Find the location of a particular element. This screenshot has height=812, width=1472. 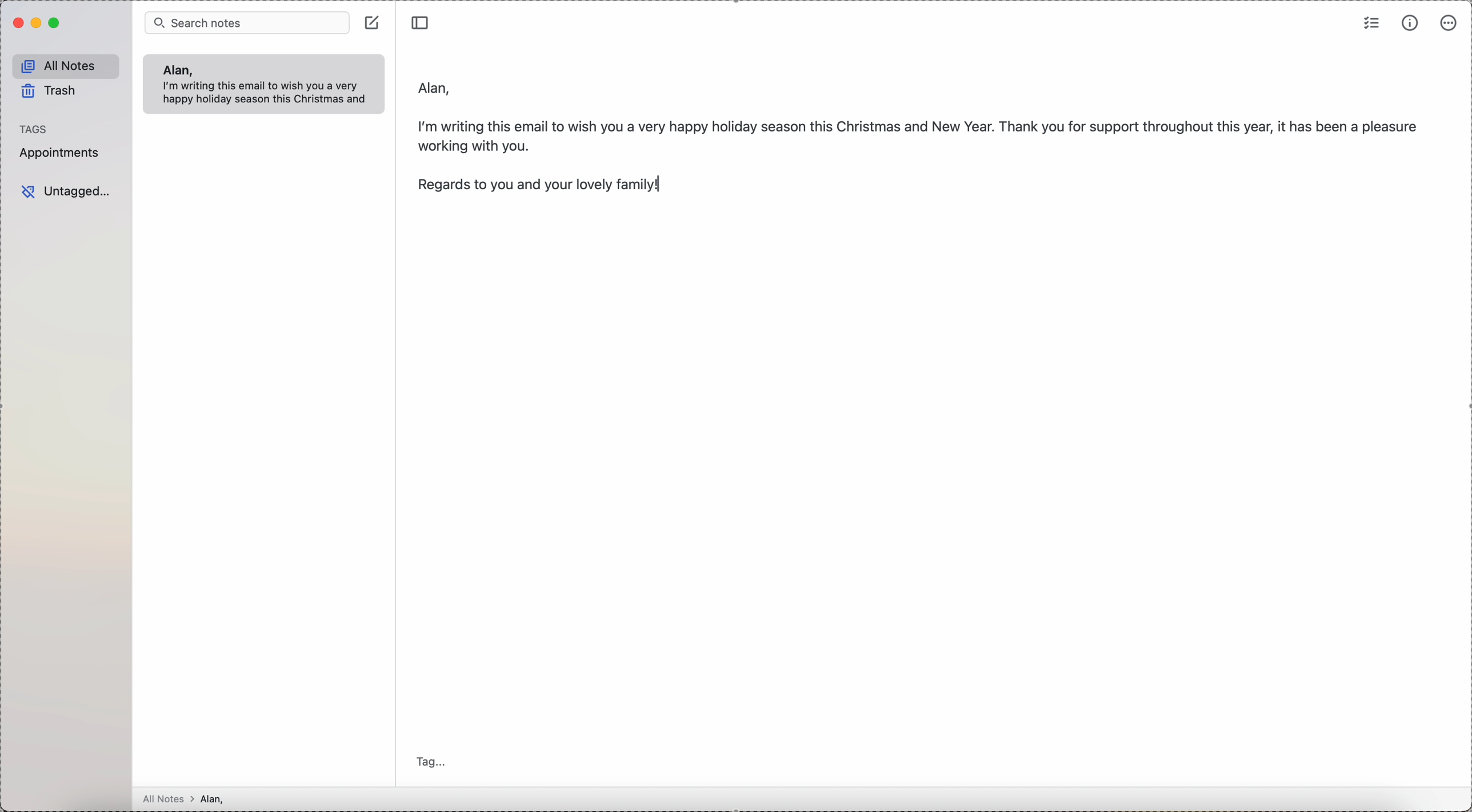

toggle sidebar is located at coordinates (422, 21).